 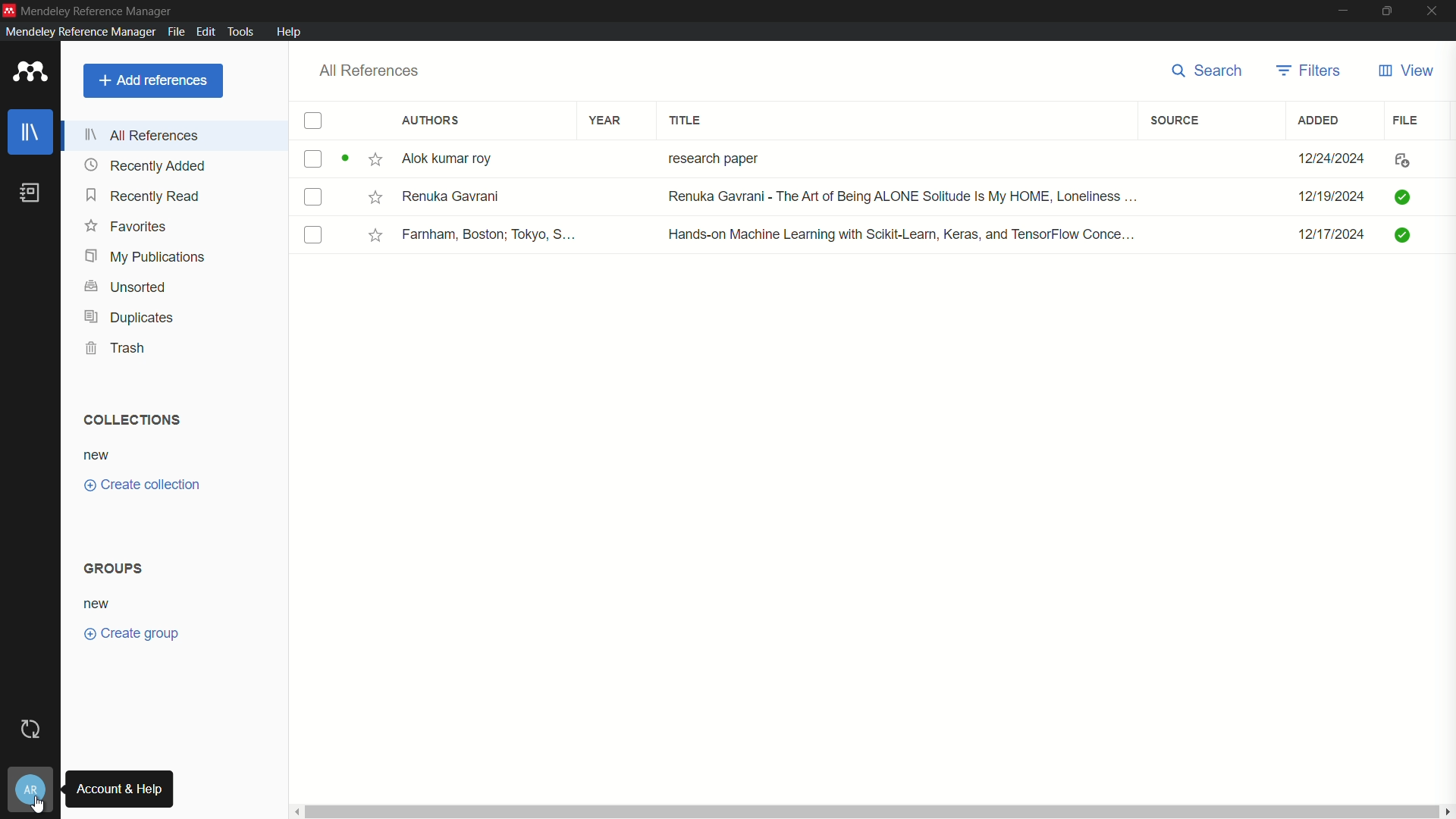 I want to click on file menu, so click(x=174, y=32).